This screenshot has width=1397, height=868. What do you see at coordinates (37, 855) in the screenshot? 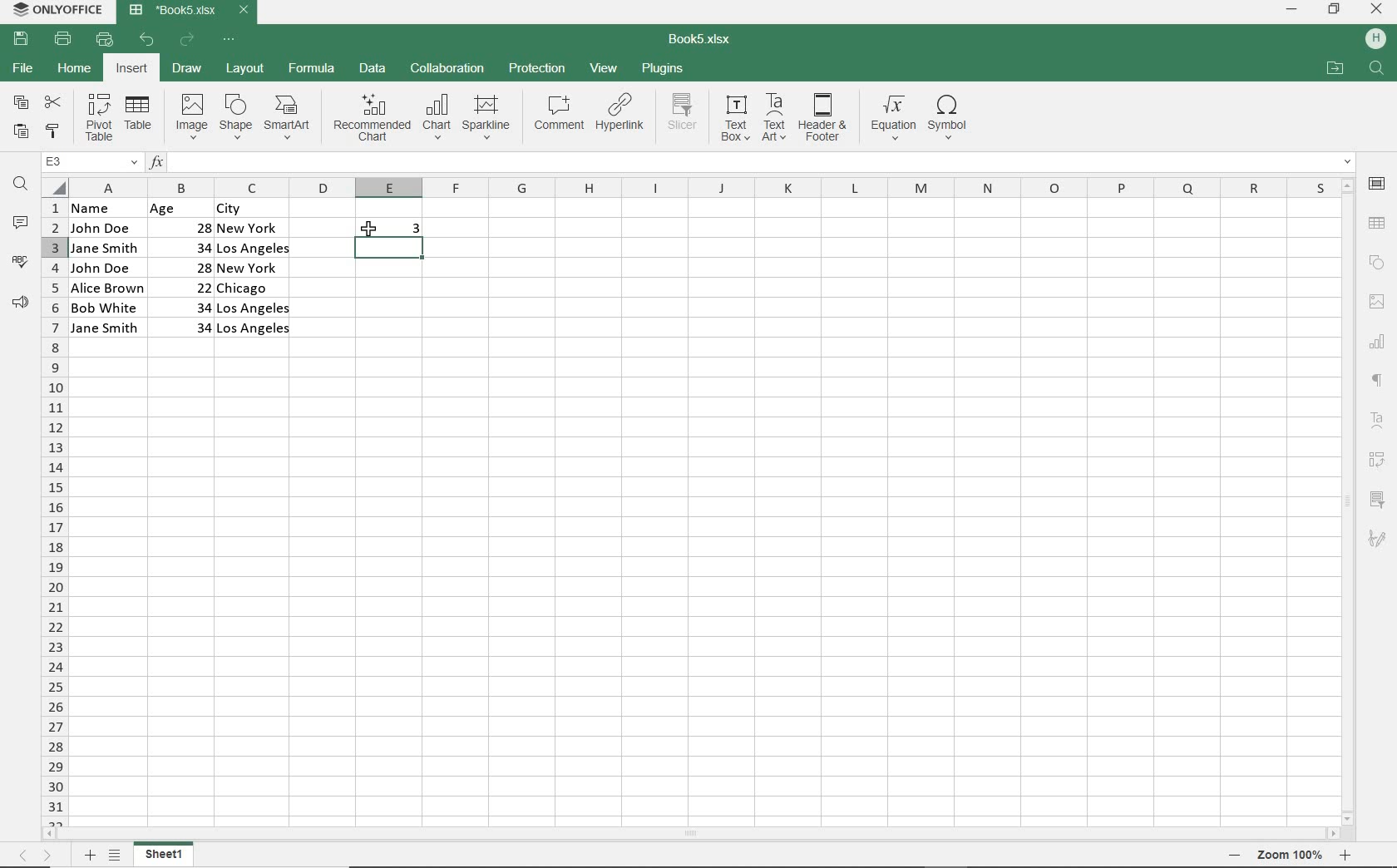
I see `MOVE SHEETS` at bounding box center [37, 855].